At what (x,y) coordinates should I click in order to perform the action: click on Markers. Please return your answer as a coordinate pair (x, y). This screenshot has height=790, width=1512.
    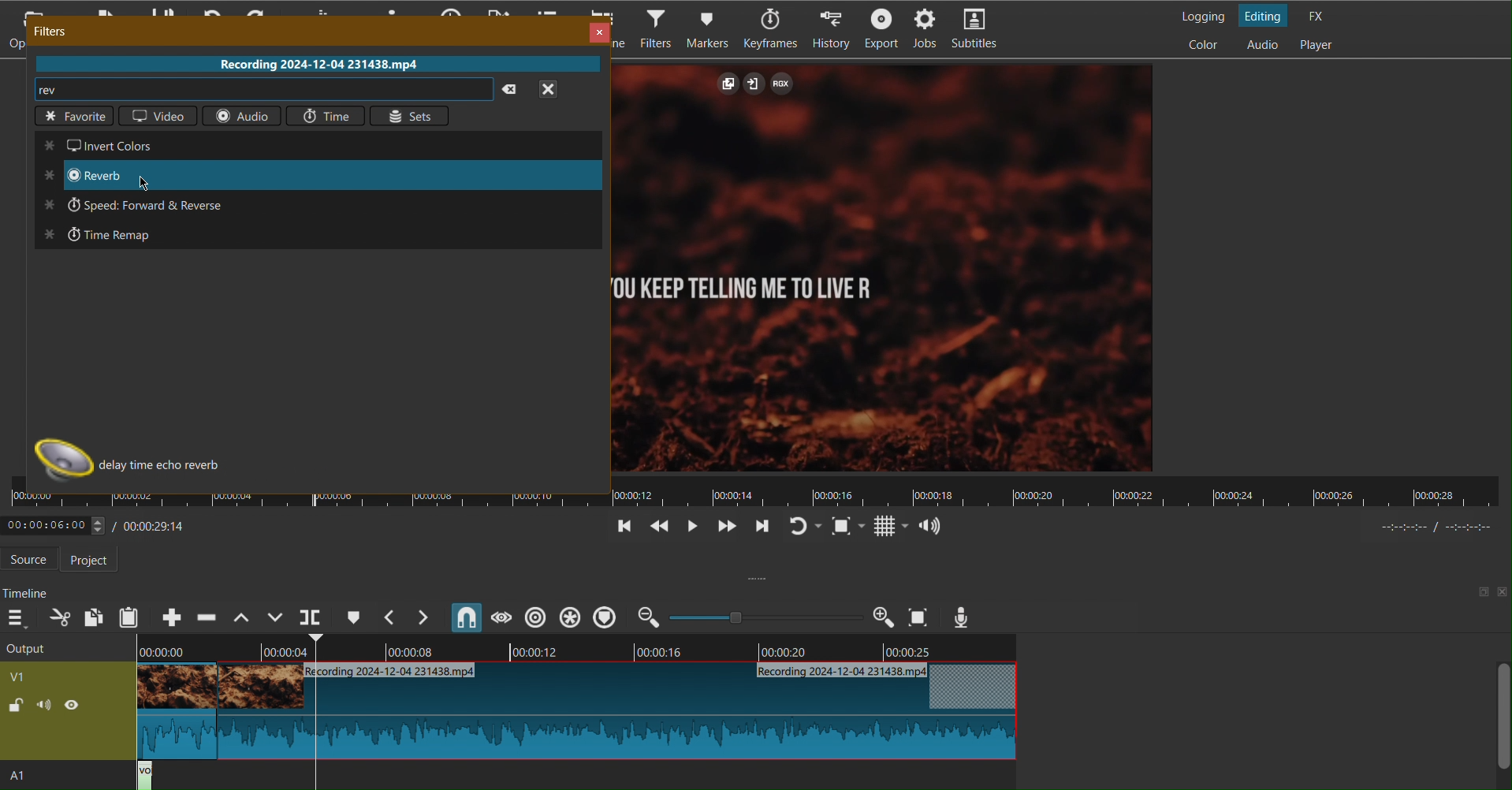
    Looking at the image, I should click on (712, 28).